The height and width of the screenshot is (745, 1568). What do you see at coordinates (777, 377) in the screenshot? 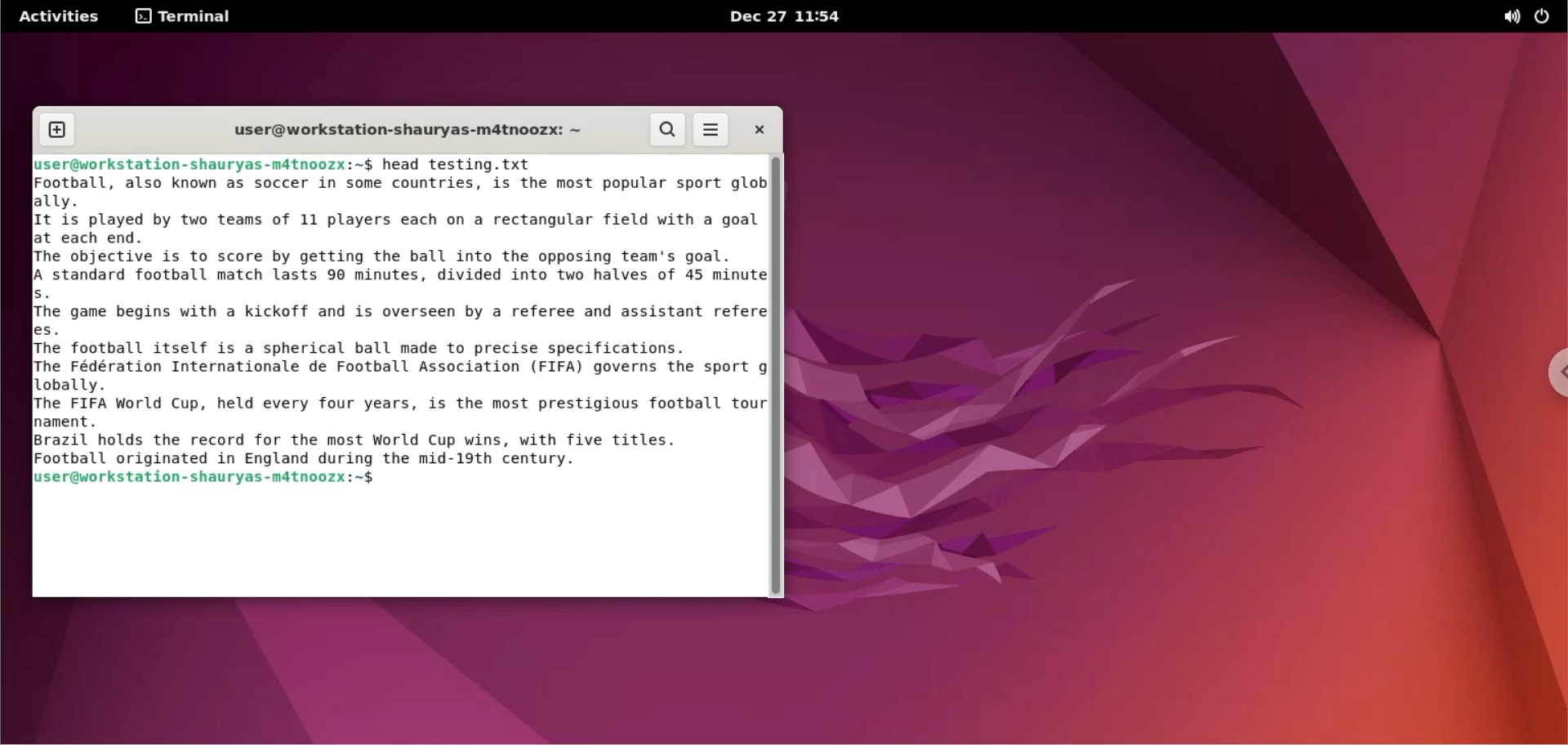
I see `scroll bar` at bounding box center [777, 377].